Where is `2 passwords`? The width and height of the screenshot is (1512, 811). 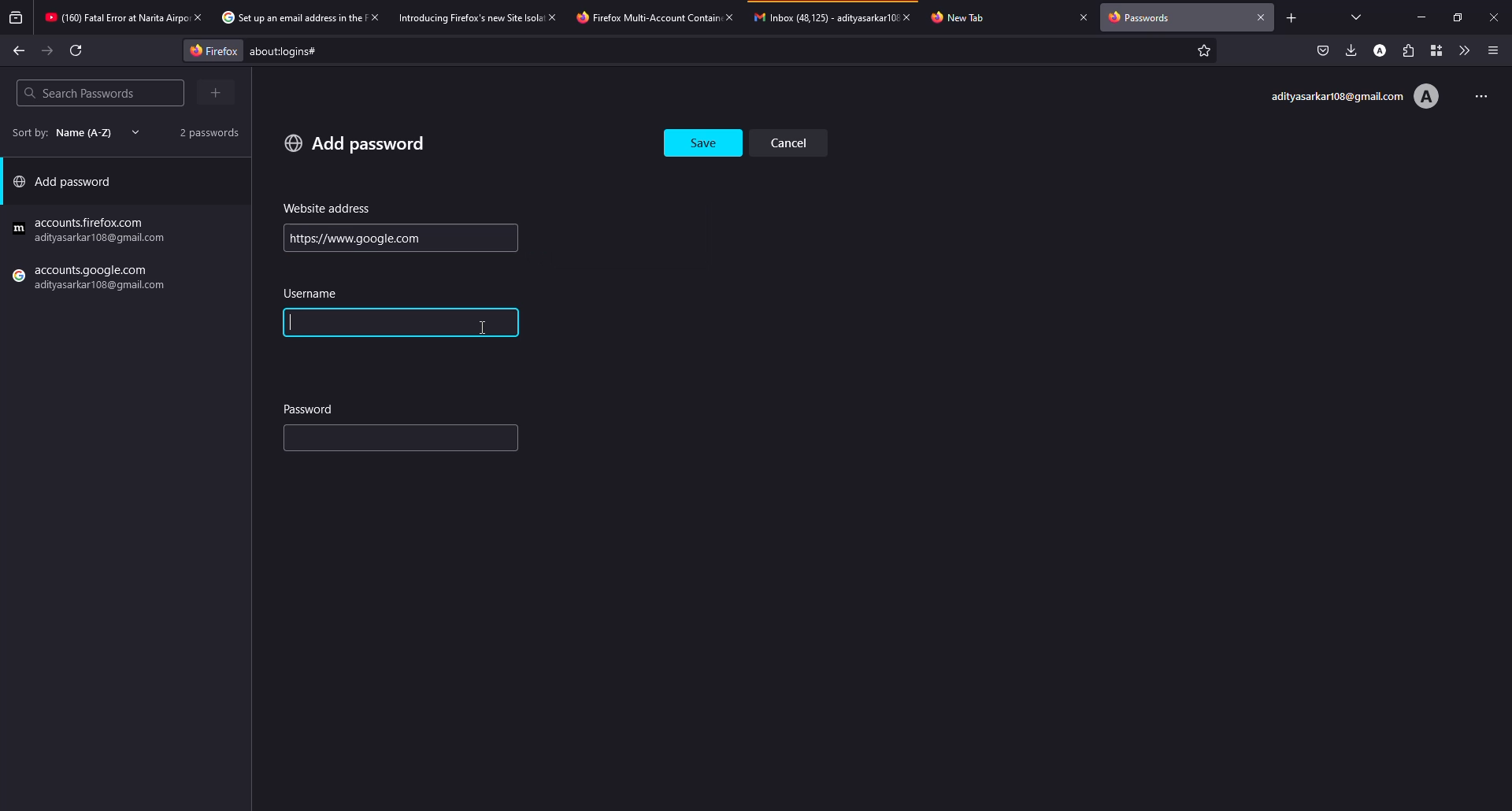
2 passwords is located at coordinates (203, 131).